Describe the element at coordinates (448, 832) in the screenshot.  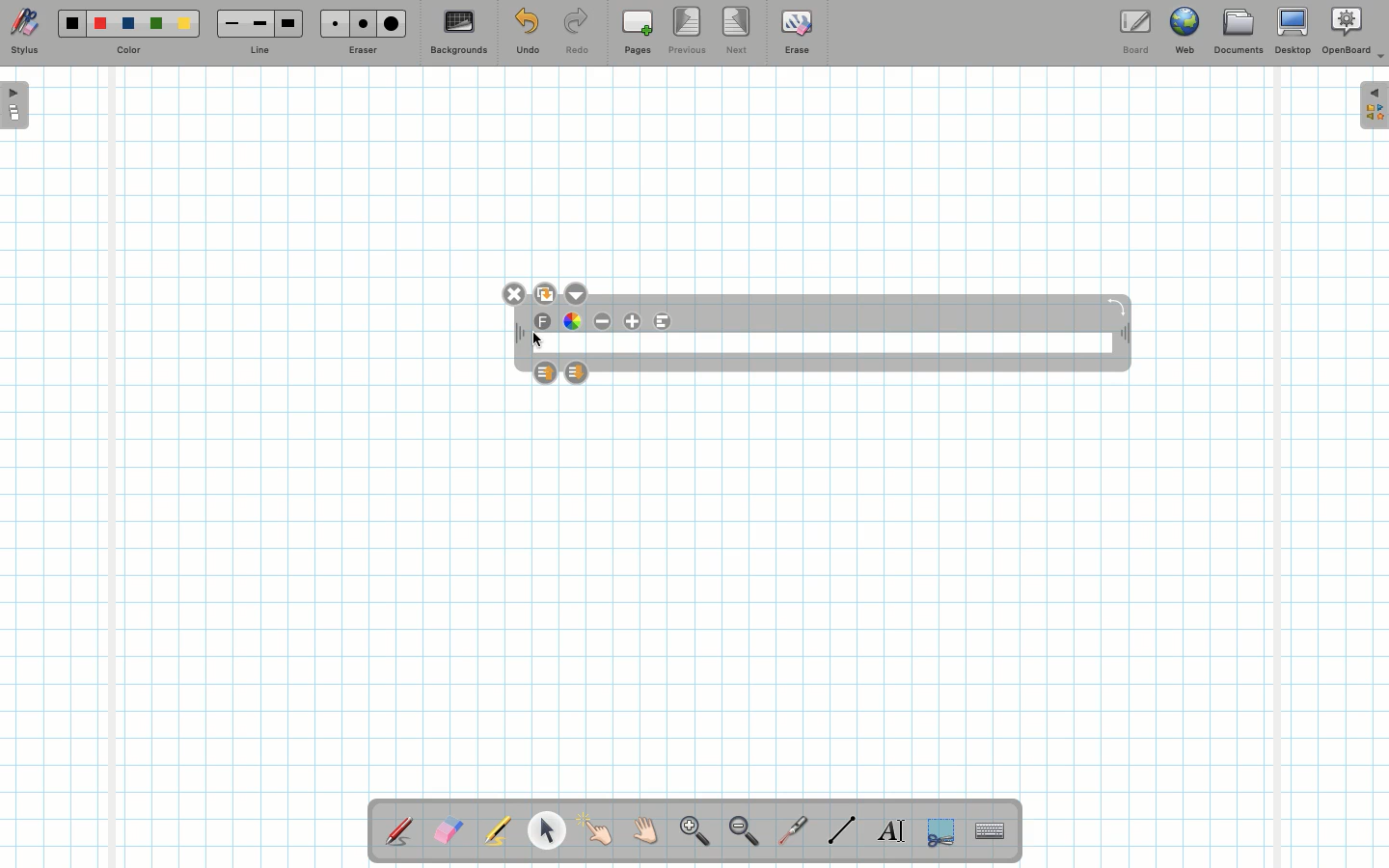
I see `Eraser` at that location.